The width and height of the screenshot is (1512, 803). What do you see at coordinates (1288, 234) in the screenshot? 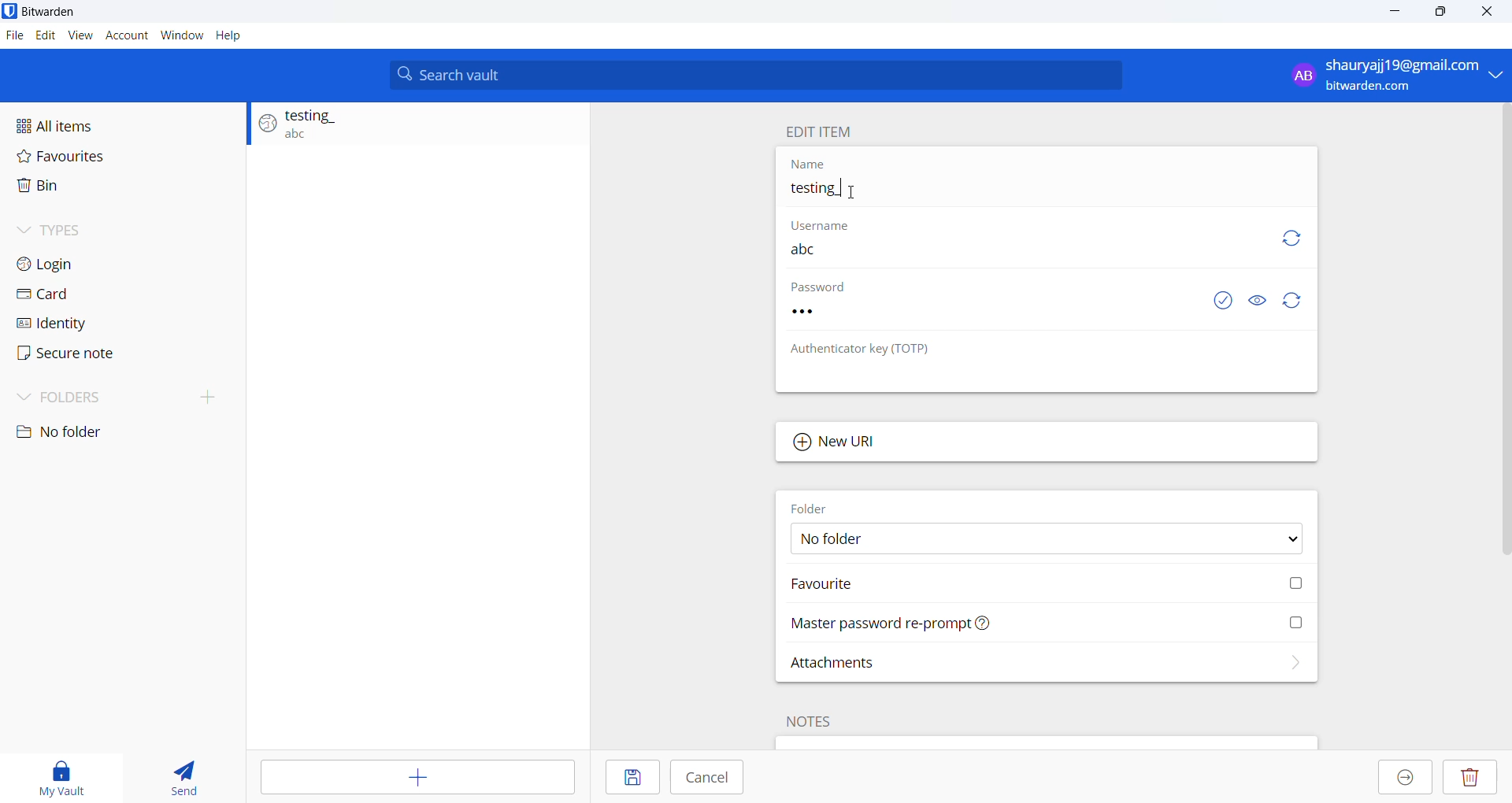
I see `Refresh` at bounding box center [1288, 234].